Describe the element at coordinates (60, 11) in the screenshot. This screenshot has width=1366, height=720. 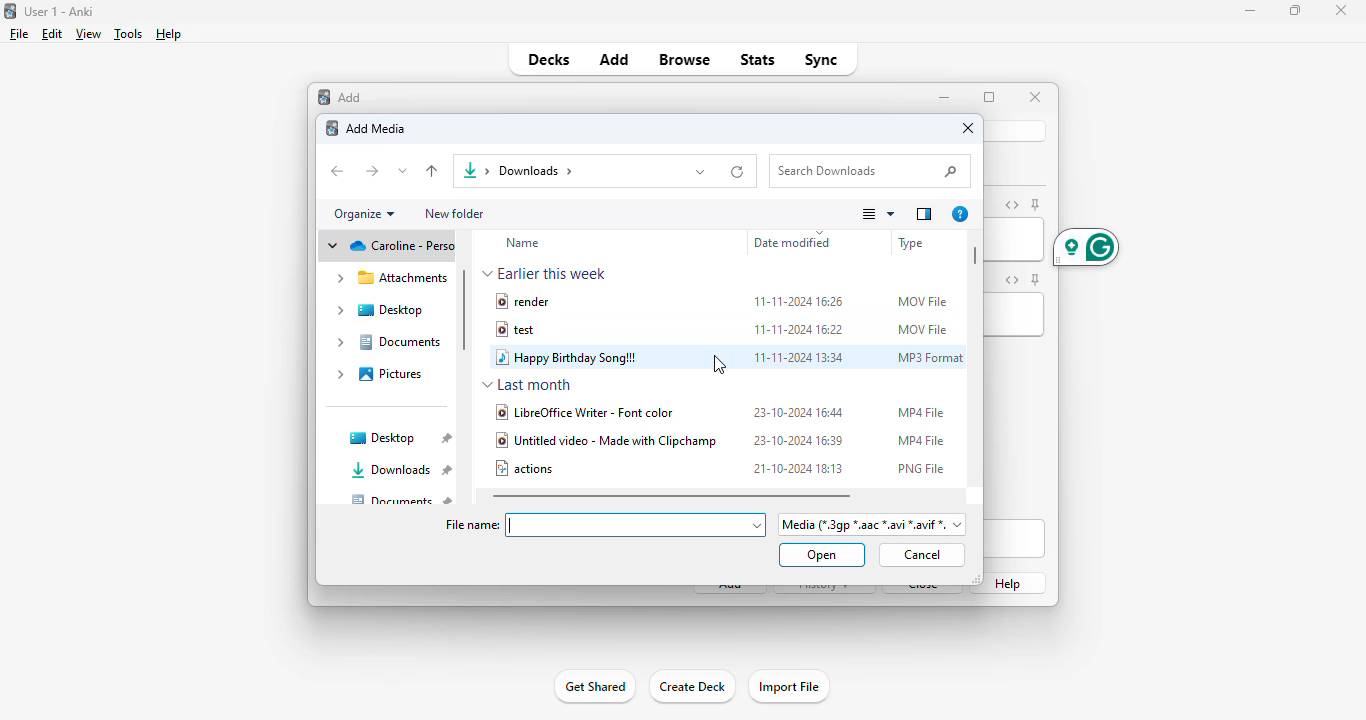
I see `title` at that location.